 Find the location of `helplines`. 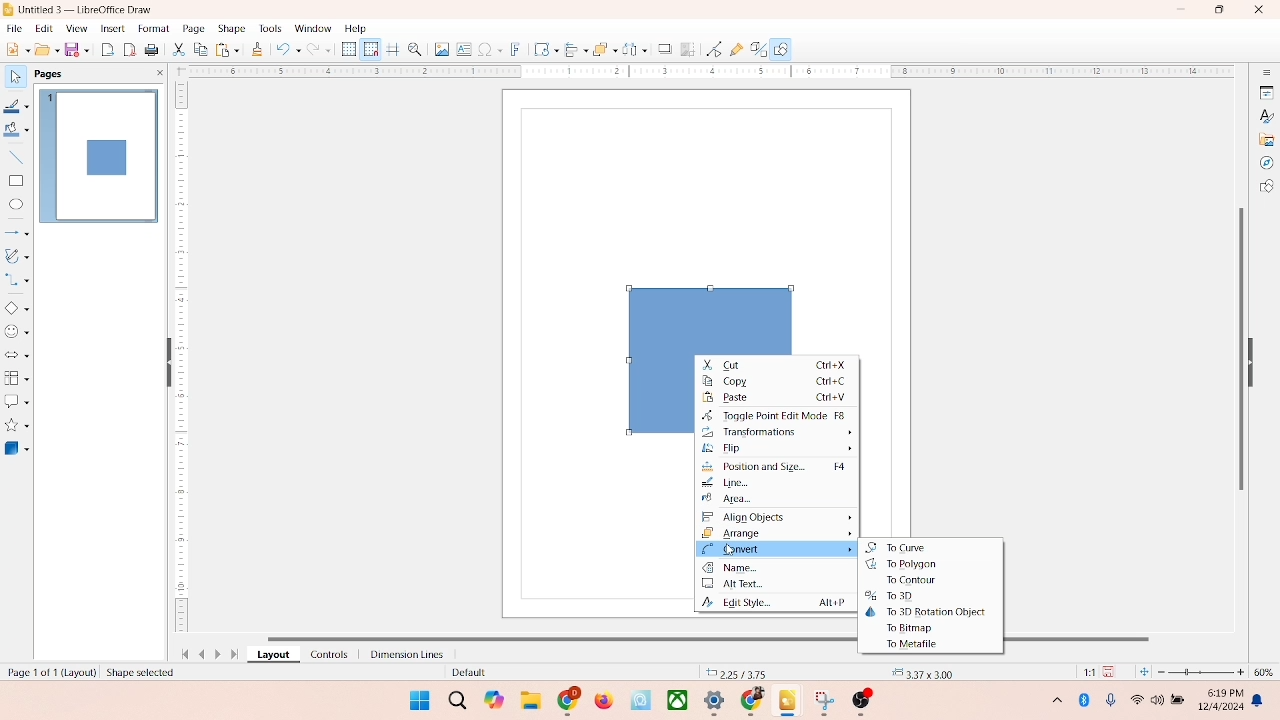

helplines is located at coordinates (392, 50).